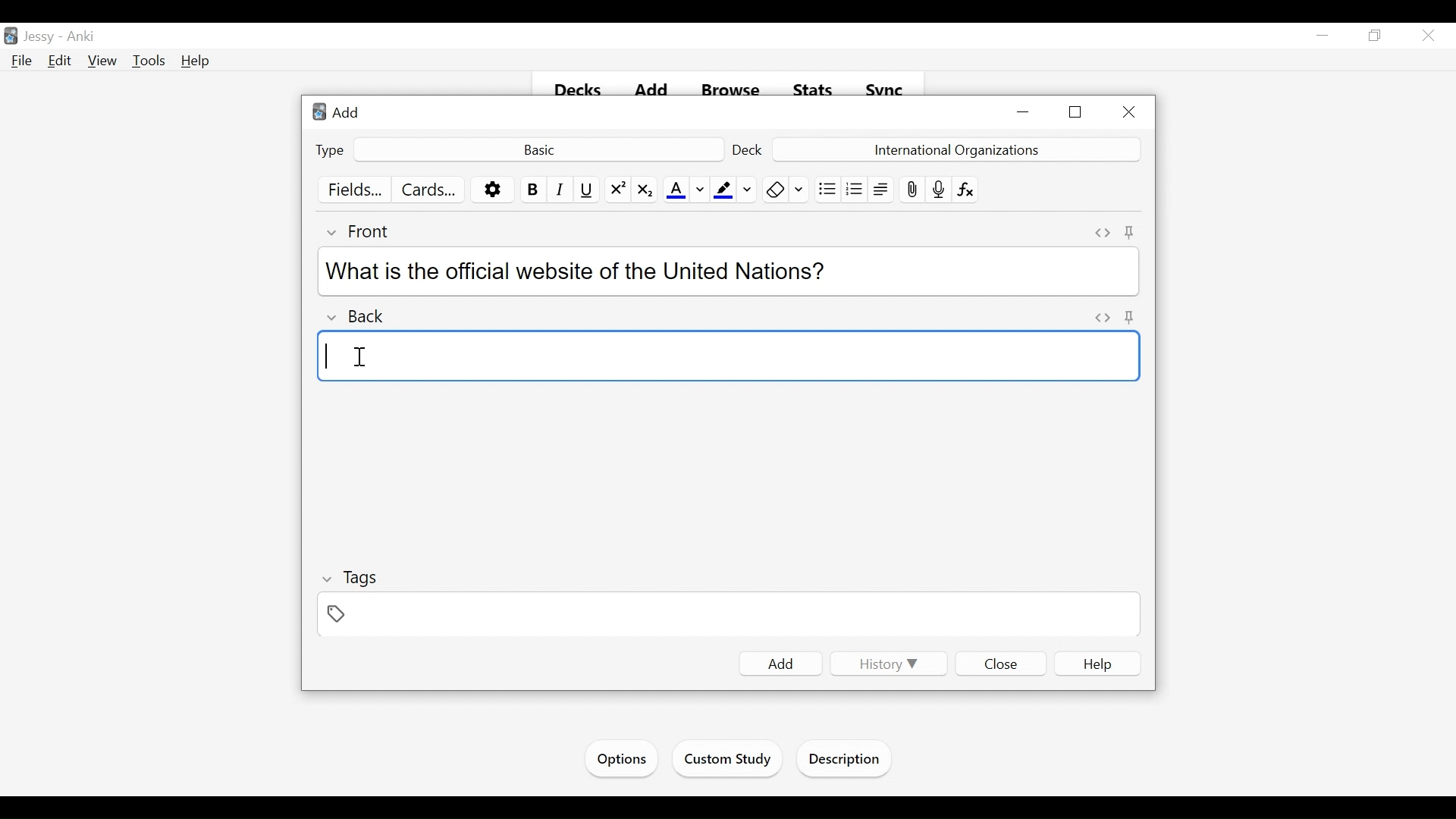  Describe the element at coordinates (1077, 112) in the screenshot. I see `Restore` at that location.